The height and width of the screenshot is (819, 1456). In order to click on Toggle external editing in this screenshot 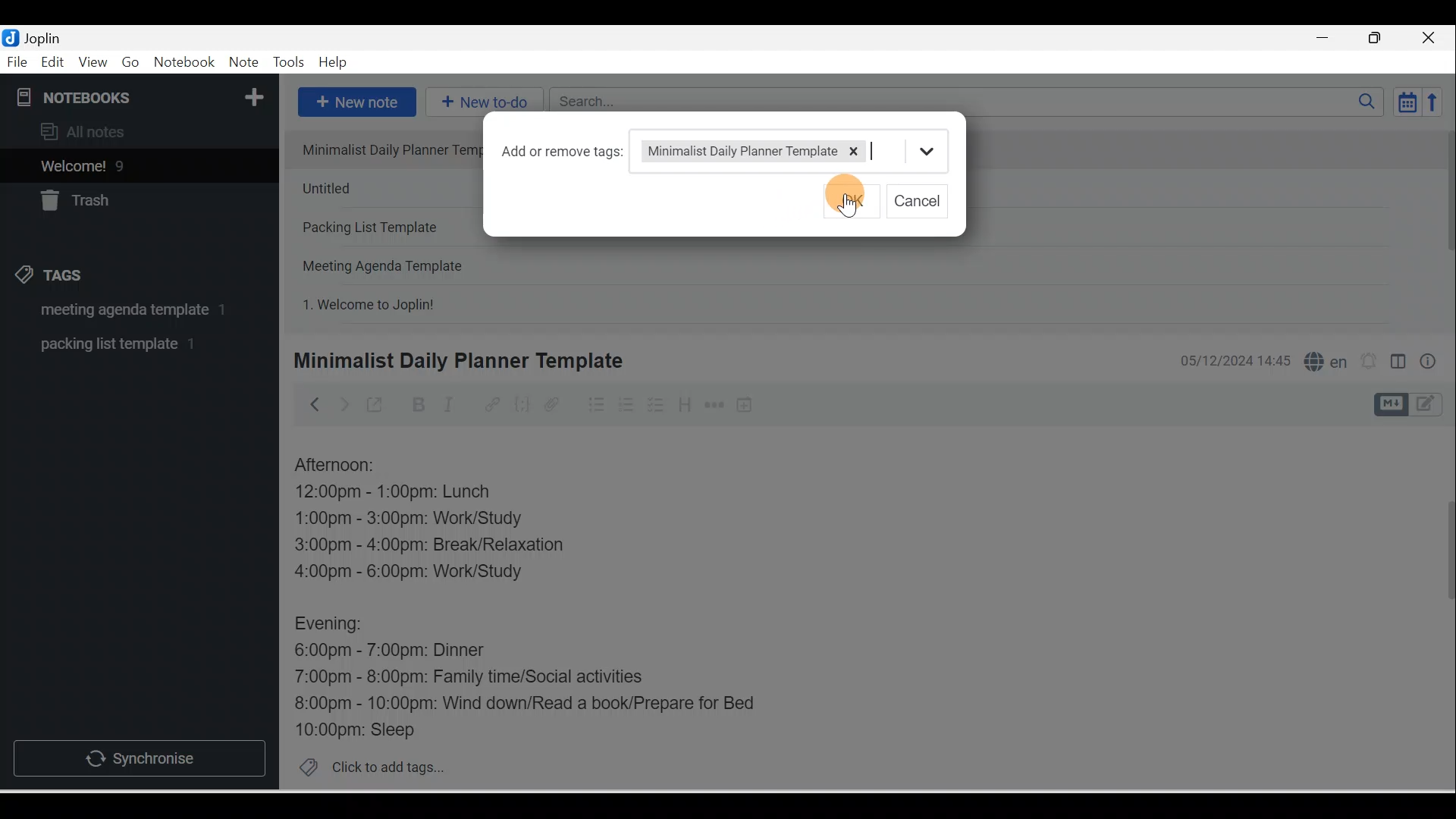, I will do `click(377, 408)`.